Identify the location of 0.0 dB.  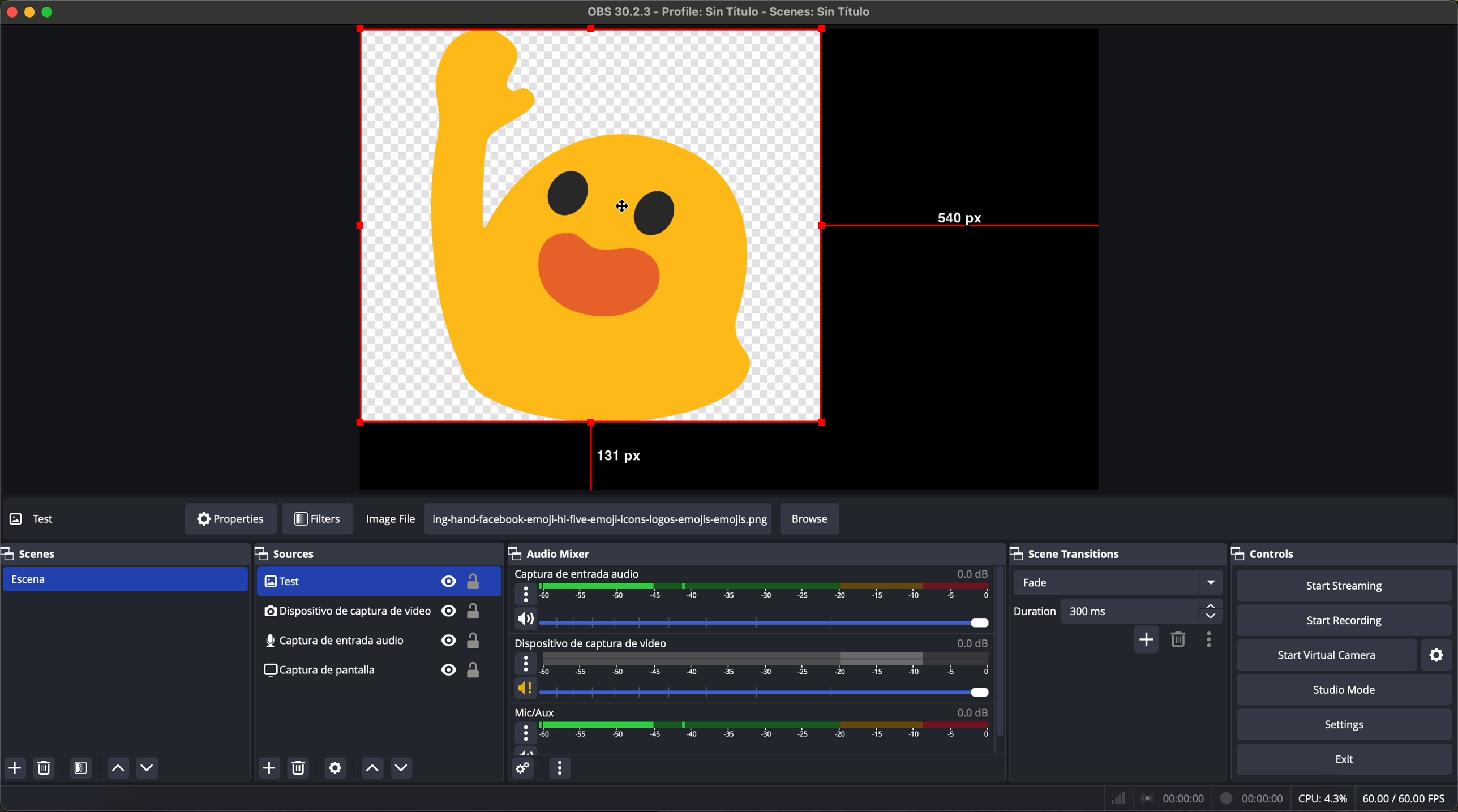
(972, 710).